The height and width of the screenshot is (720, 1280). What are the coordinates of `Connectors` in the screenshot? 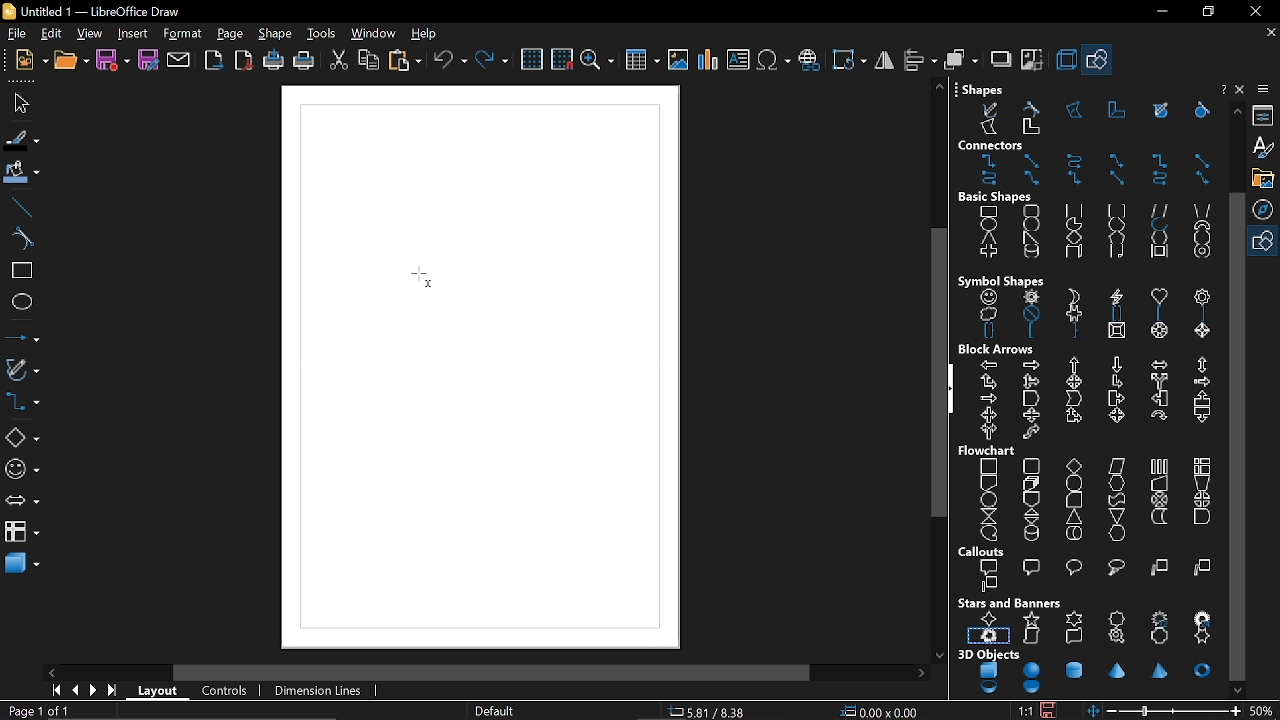 It's located at (1087, 163).